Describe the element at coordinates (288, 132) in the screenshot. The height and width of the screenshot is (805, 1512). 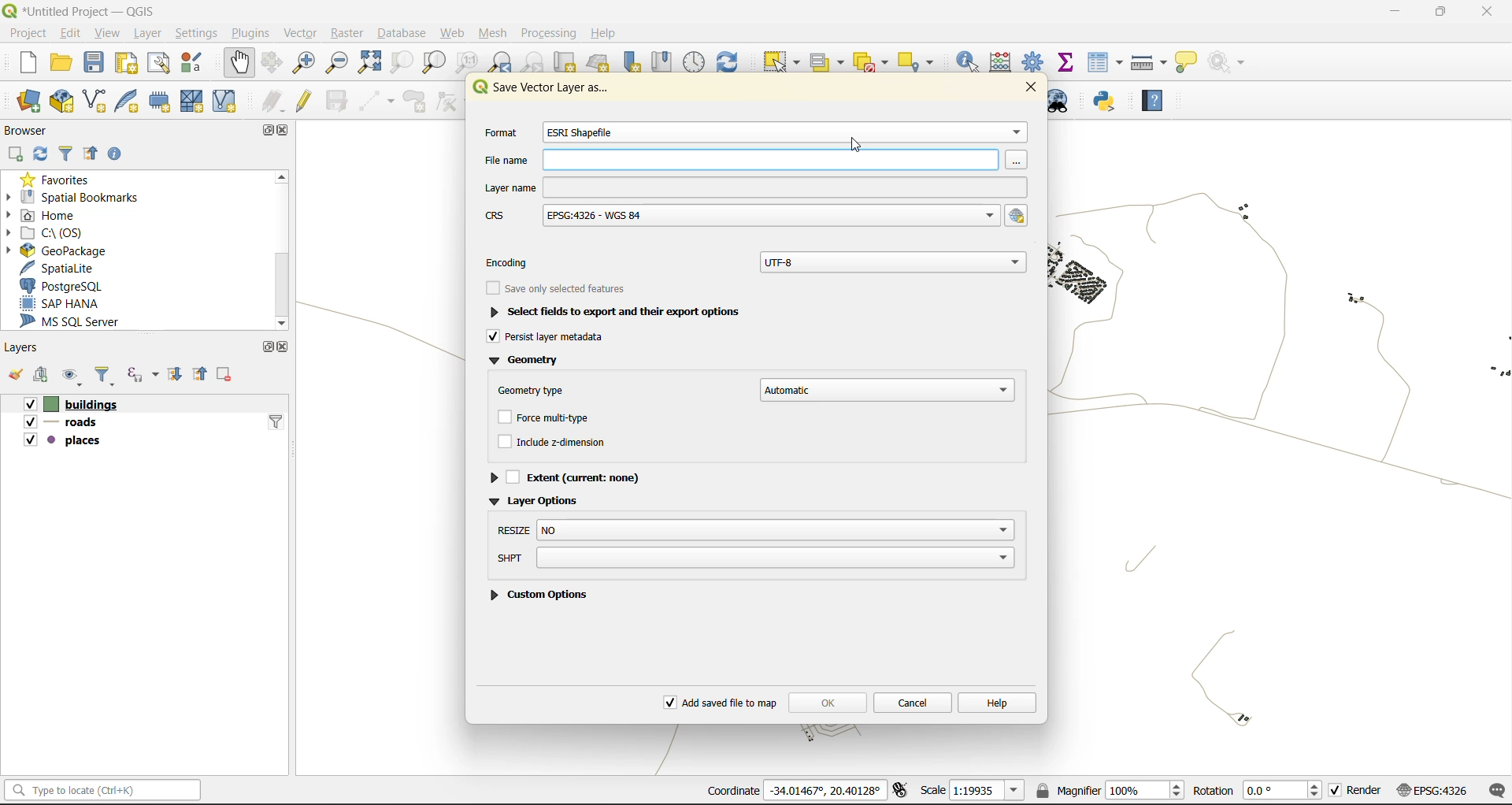
I see `close` at that location.